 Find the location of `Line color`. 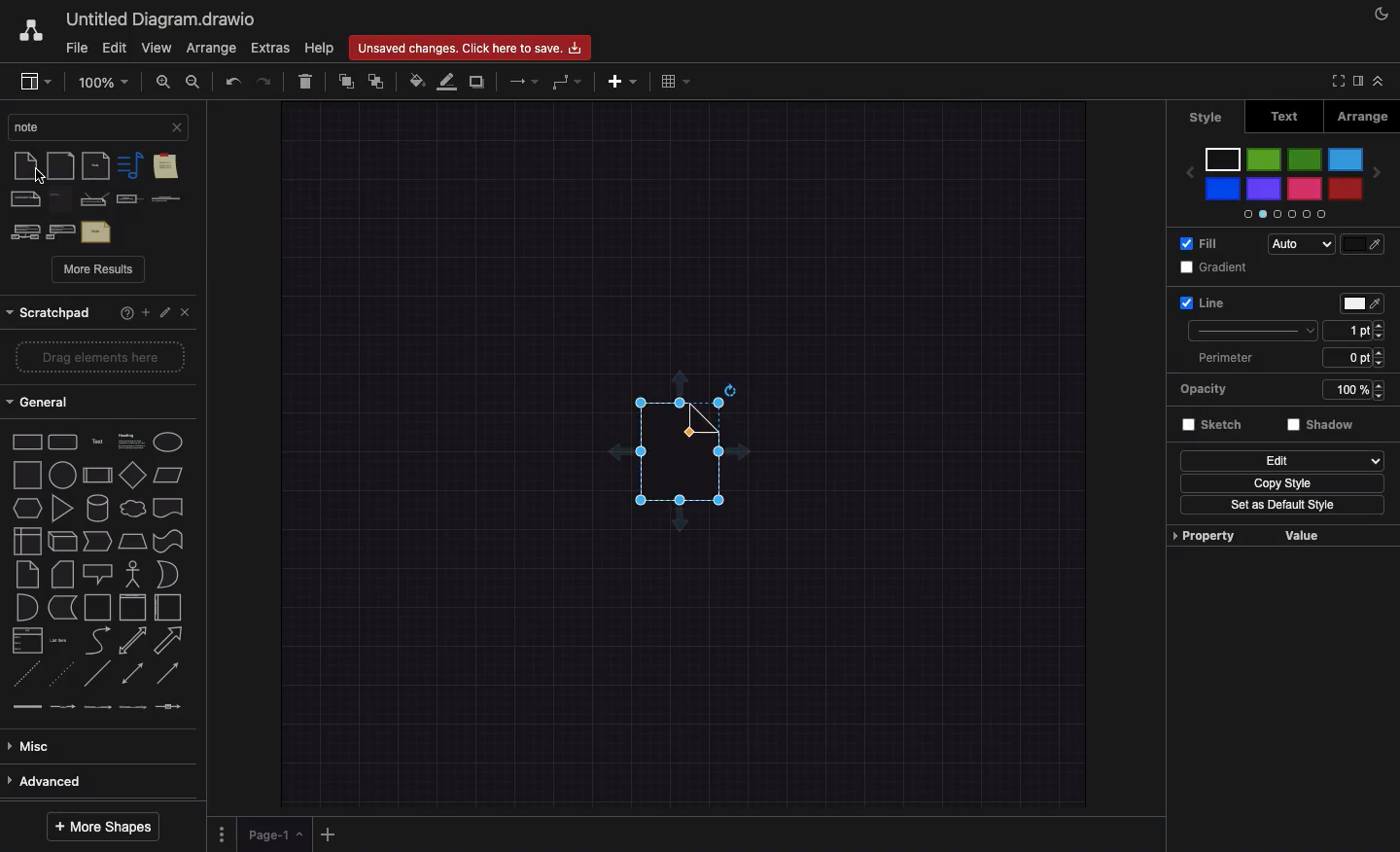

Line color is located at coordinates (447, 81).